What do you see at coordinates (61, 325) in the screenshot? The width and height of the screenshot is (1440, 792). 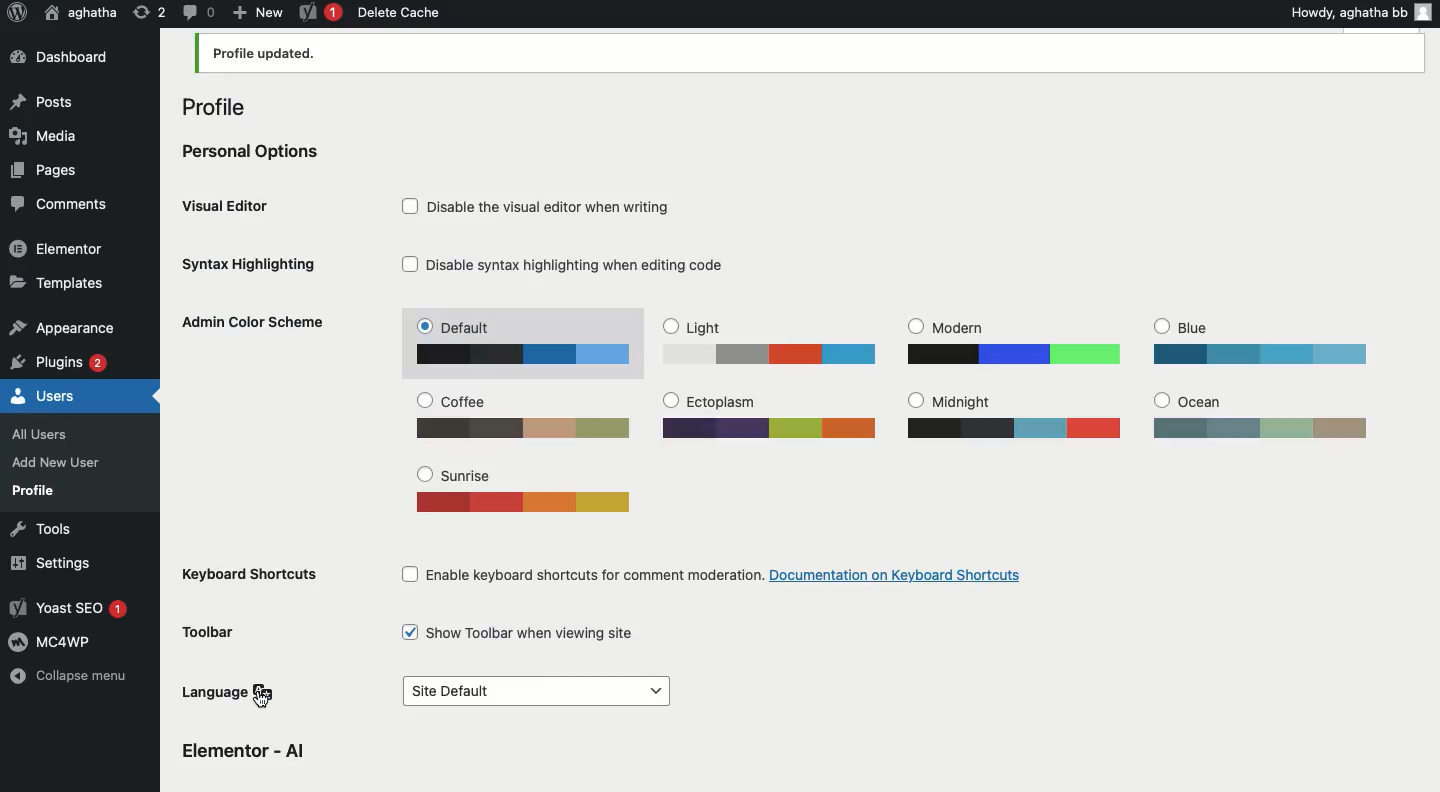 I see `Appearance` at bounding box center [61, 325].